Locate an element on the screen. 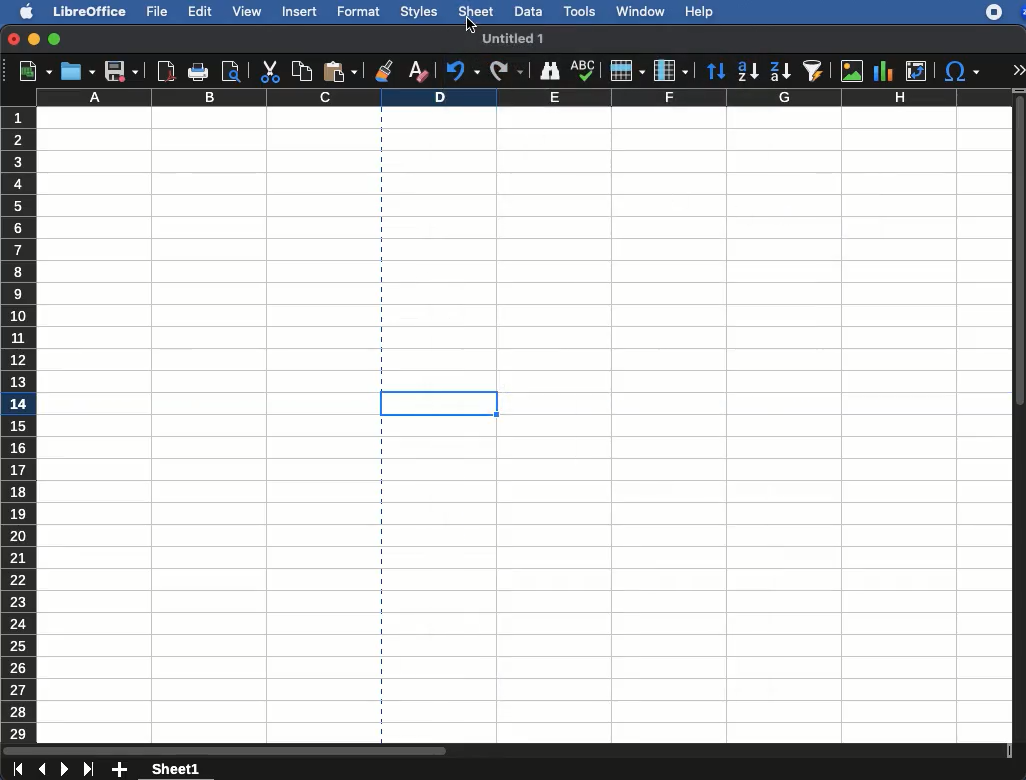  spell check is located at coordinates (583, 70).